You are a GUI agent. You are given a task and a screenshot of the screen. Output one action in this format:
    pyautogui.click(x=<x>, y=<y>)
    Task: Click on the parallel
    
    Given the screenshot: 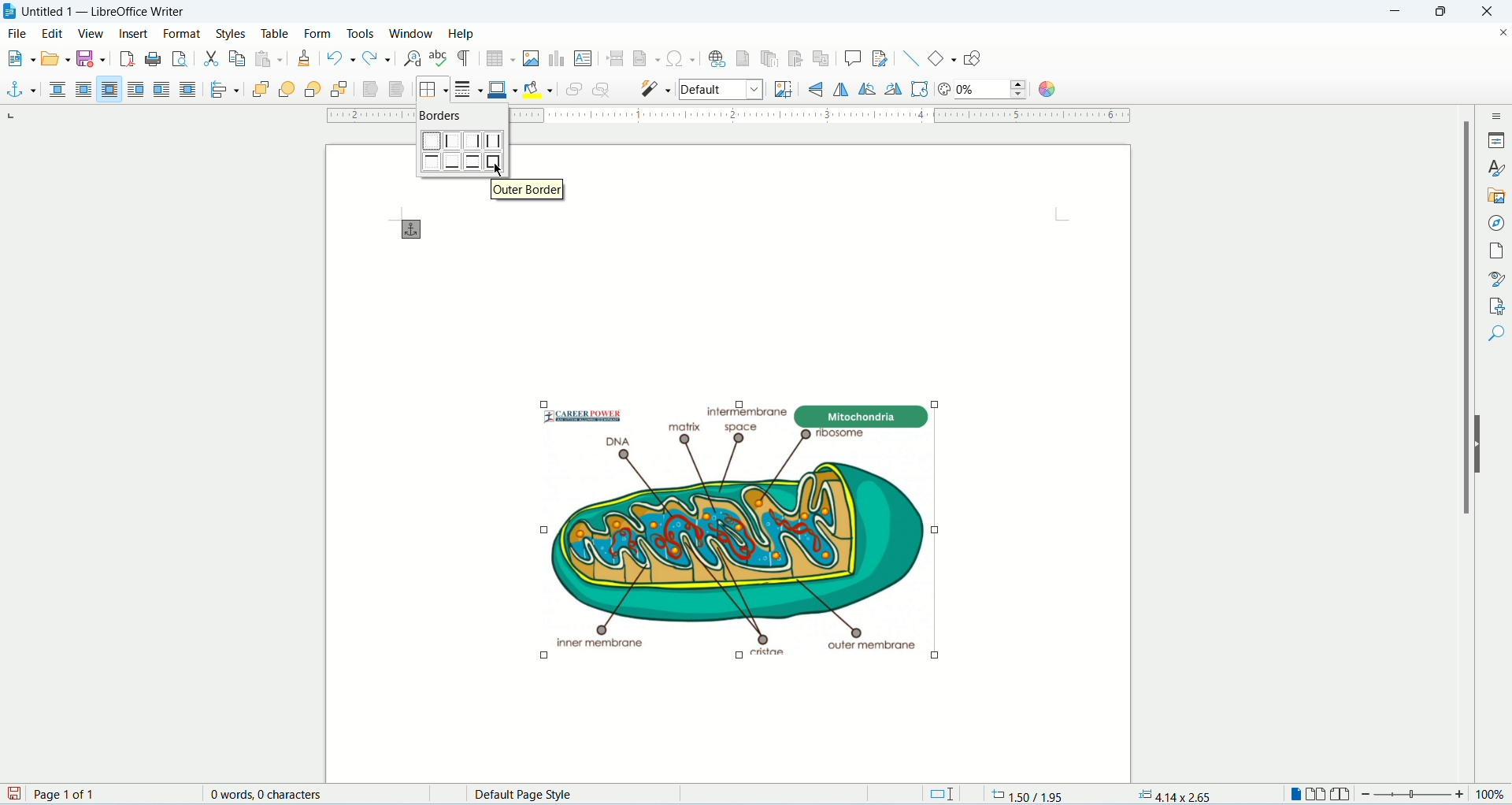 What is the action you would take?
    pyautogui.click(x=87, y=90)
    